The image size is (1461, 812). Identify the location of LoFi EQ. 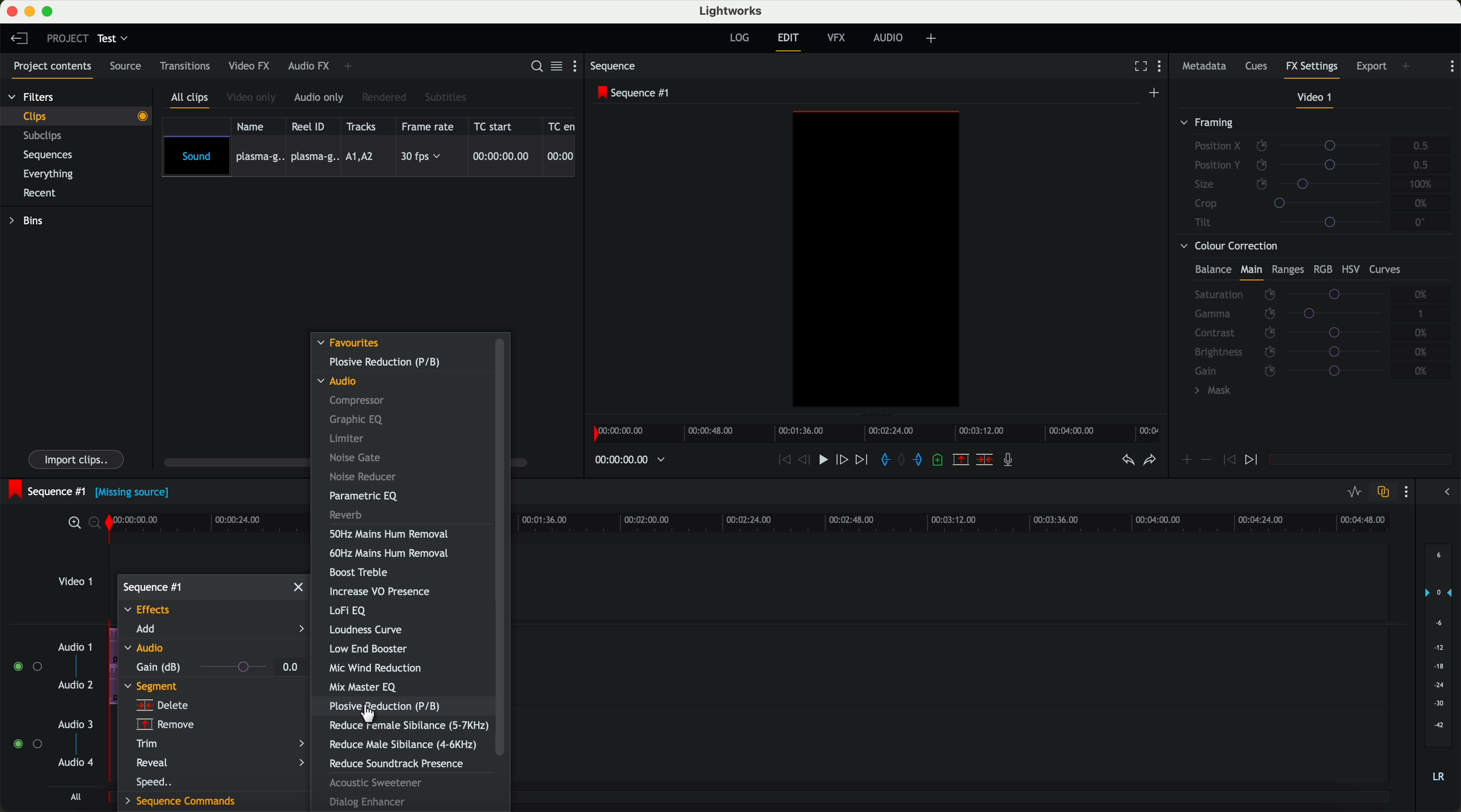
(351, 611).